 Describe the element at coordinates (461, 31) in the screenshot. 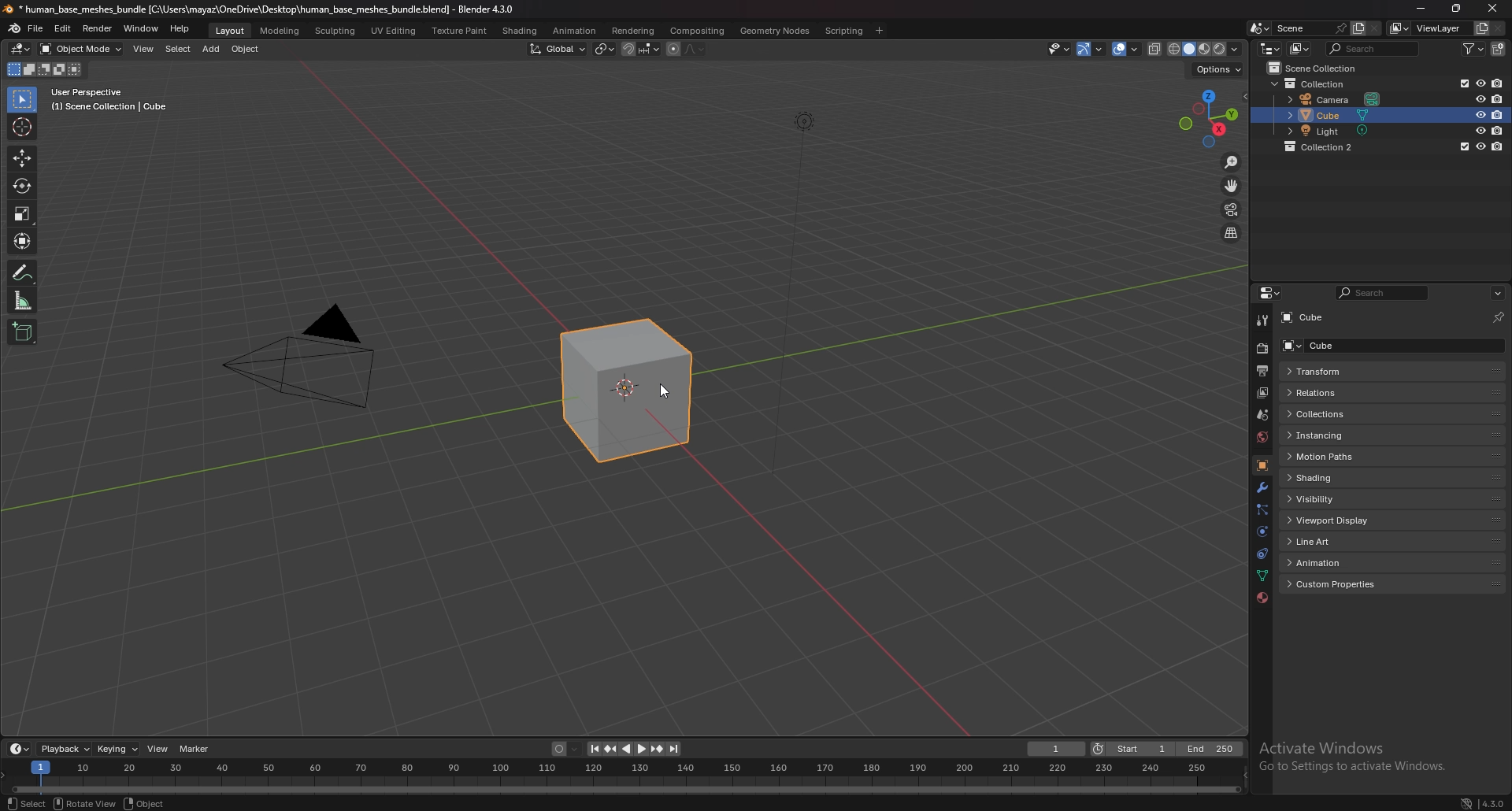

I see `texture paint` at that location.